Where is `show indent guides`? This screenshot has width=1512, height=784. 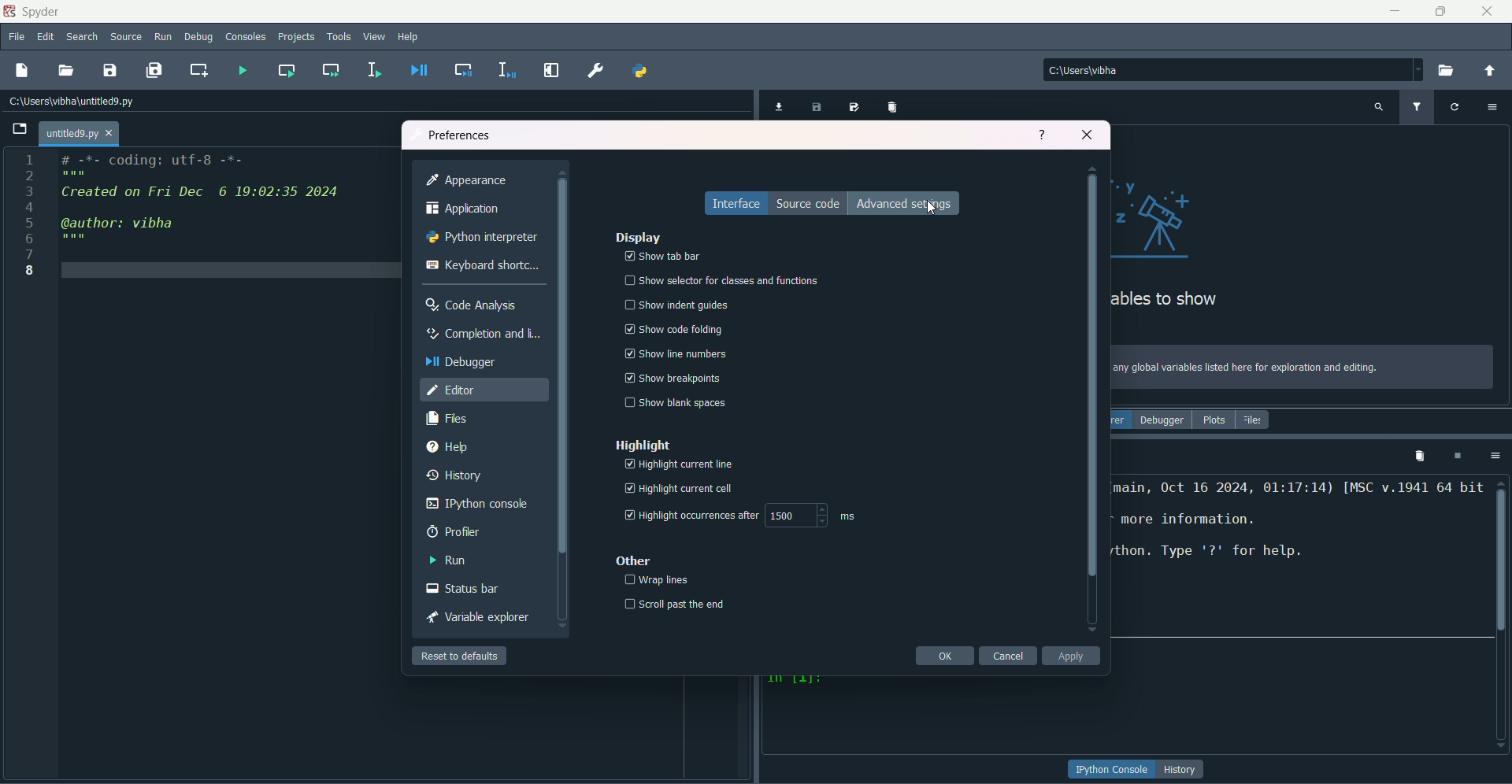 show indent guides is located at coordinates (677, 305).